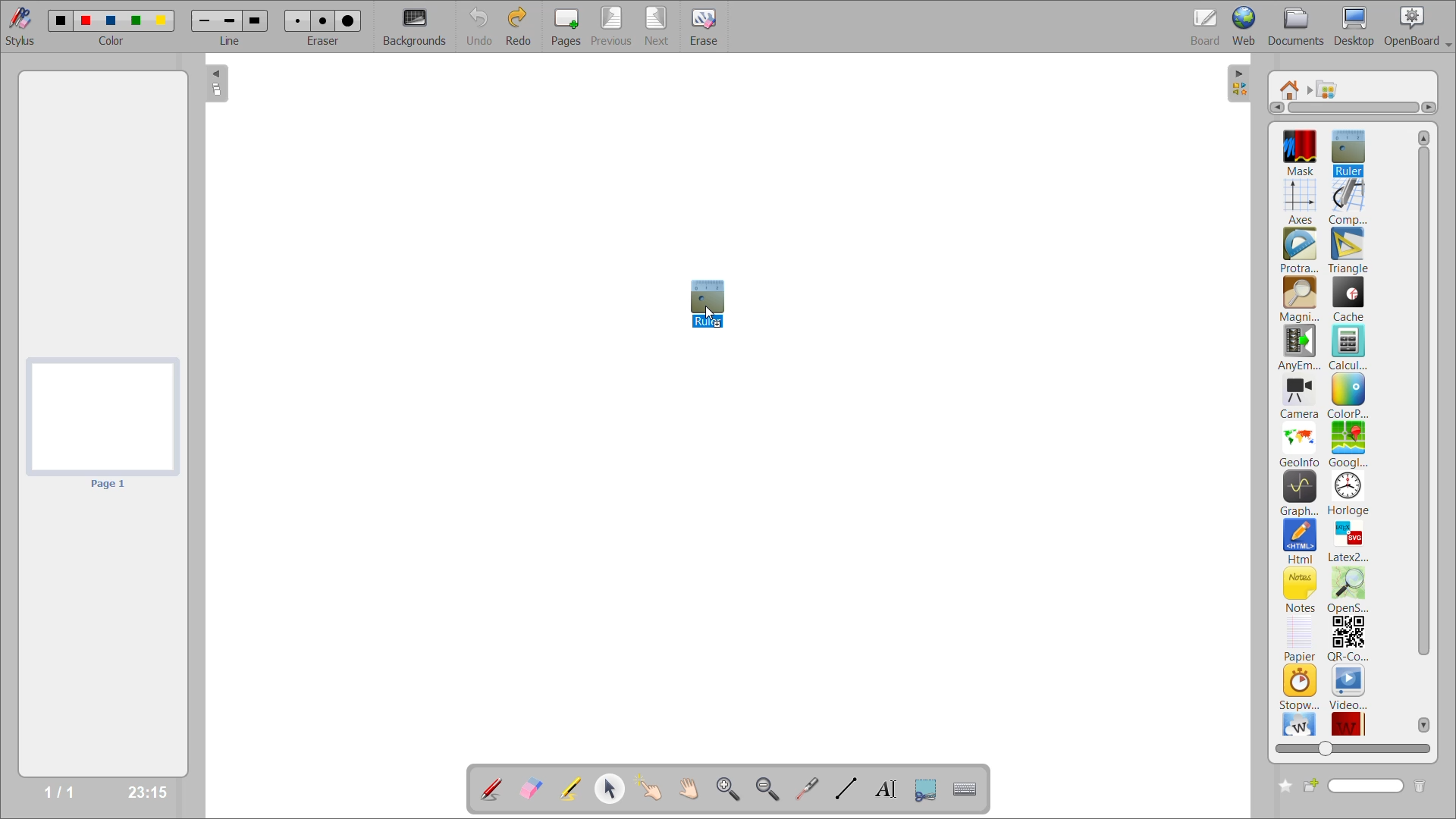 The height and width of the screenshot is (819, 1456). Describe the element at coordinates (1350, 347) in the screenshot. I see `calculator` at that location.